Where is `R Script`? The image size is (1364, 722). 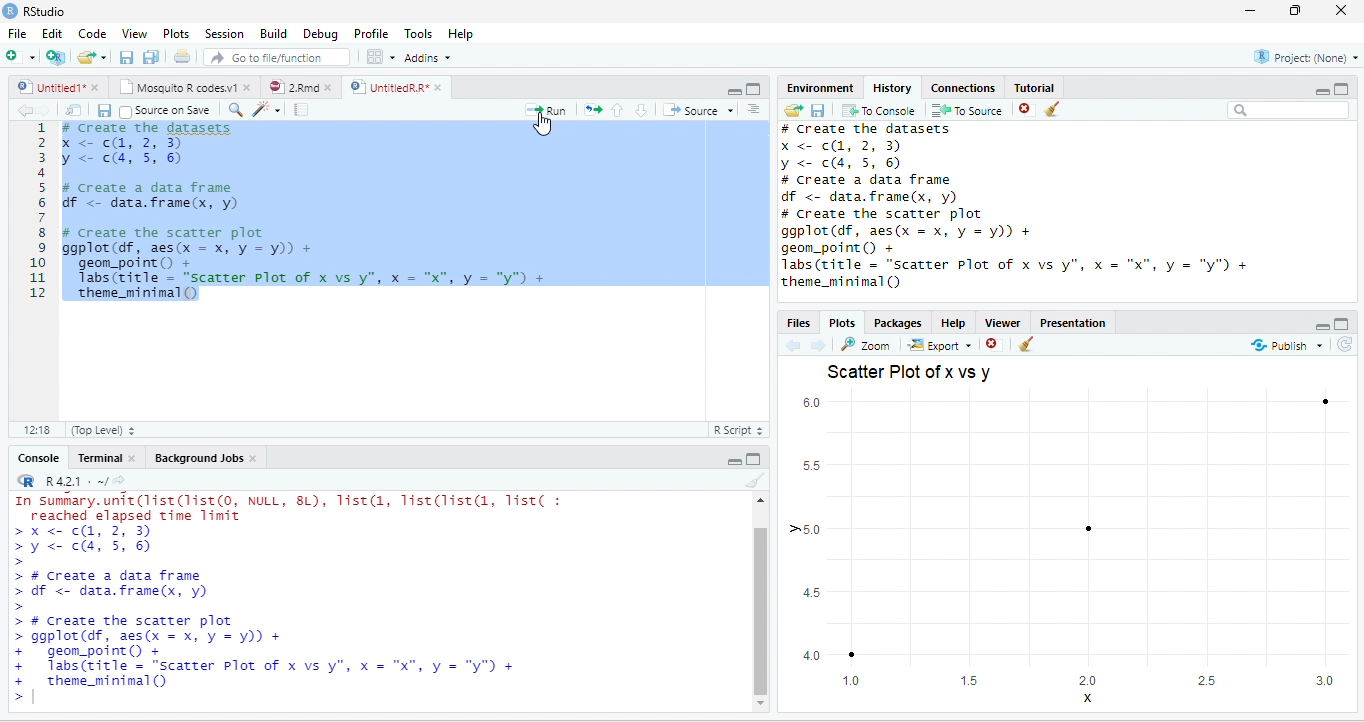
R Script is located at coordinates (740, 430).